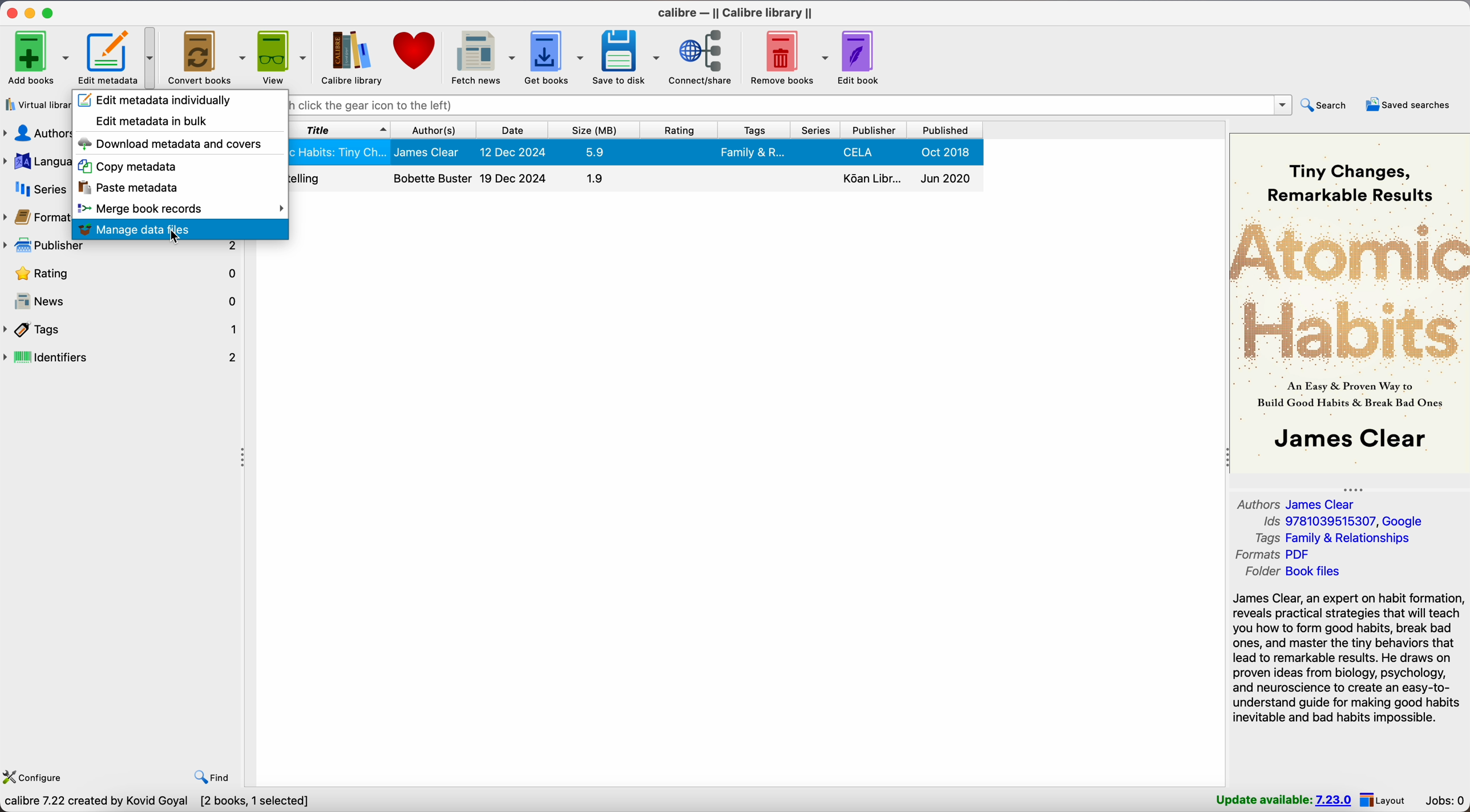  Describe the element at coordinates (1445, 801) in the screenshot. I see `Jobs: 0` at that location.